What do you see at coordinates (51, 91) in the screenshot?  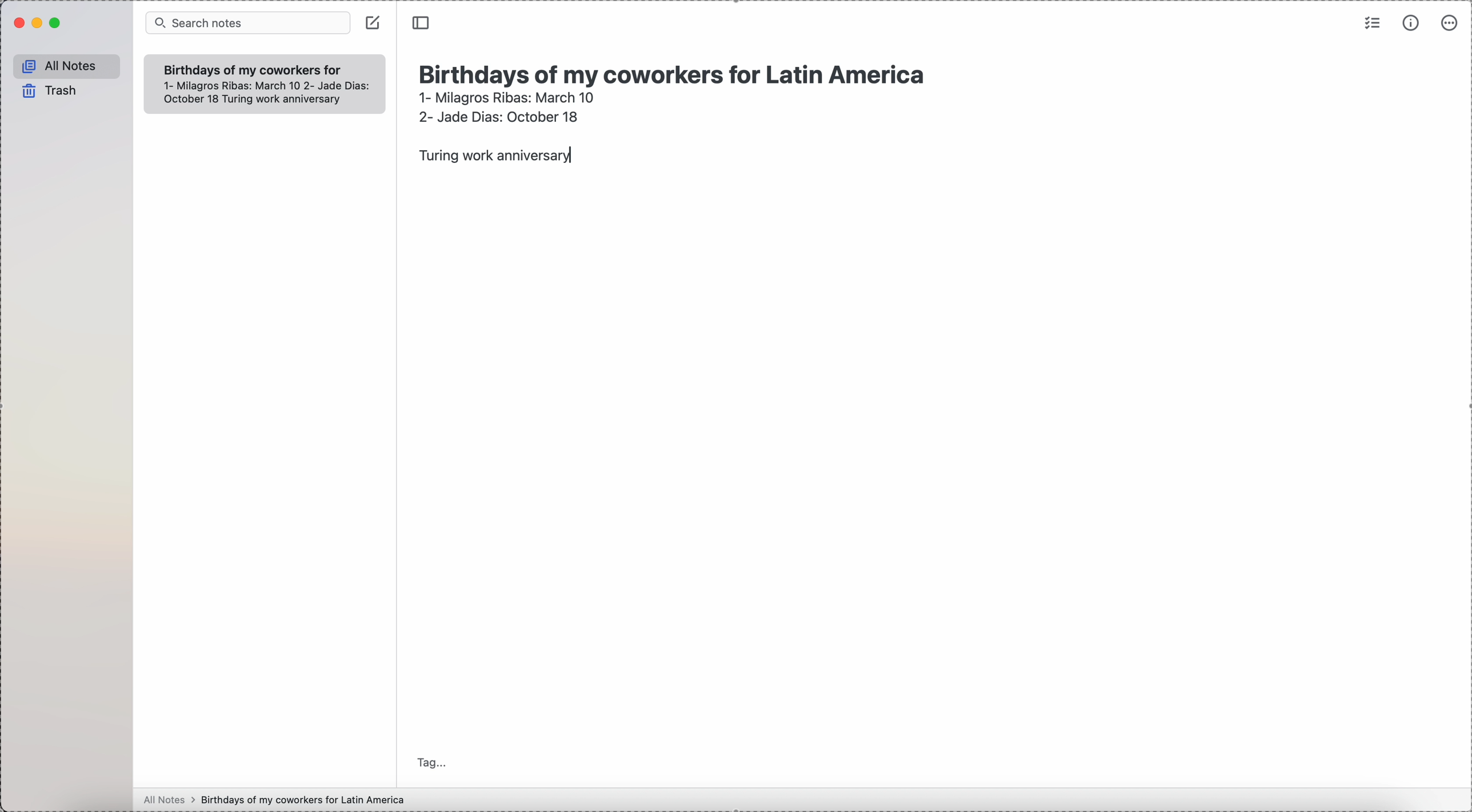 I see `trash` at bounding box center [51, 91].